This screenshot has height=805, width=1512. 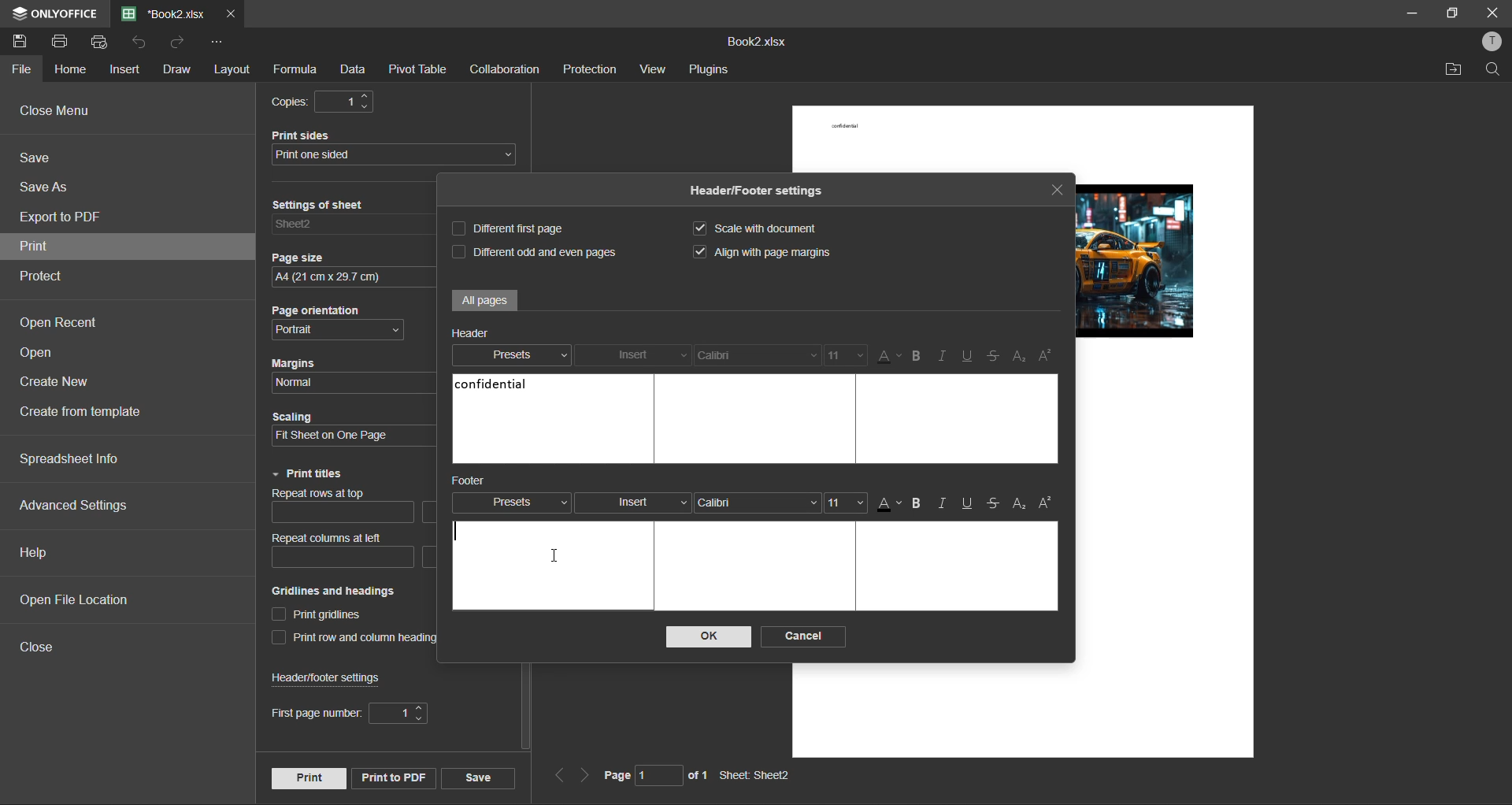 I want to click on copies, so click(x=319, y=102).